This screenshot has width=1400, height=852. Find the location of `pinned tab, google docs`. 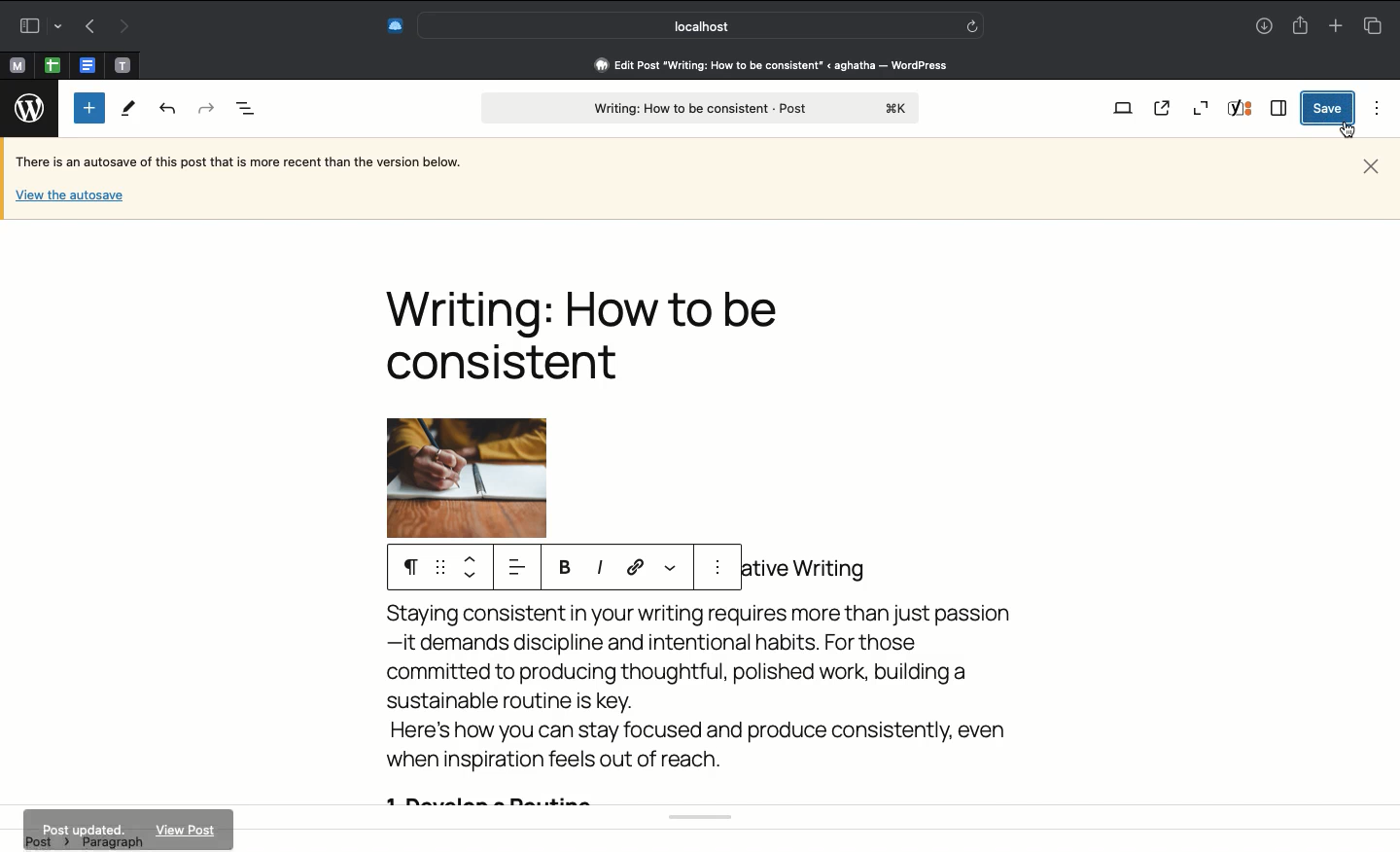

pinned tab, google docs is located at coordinates (86, 61).